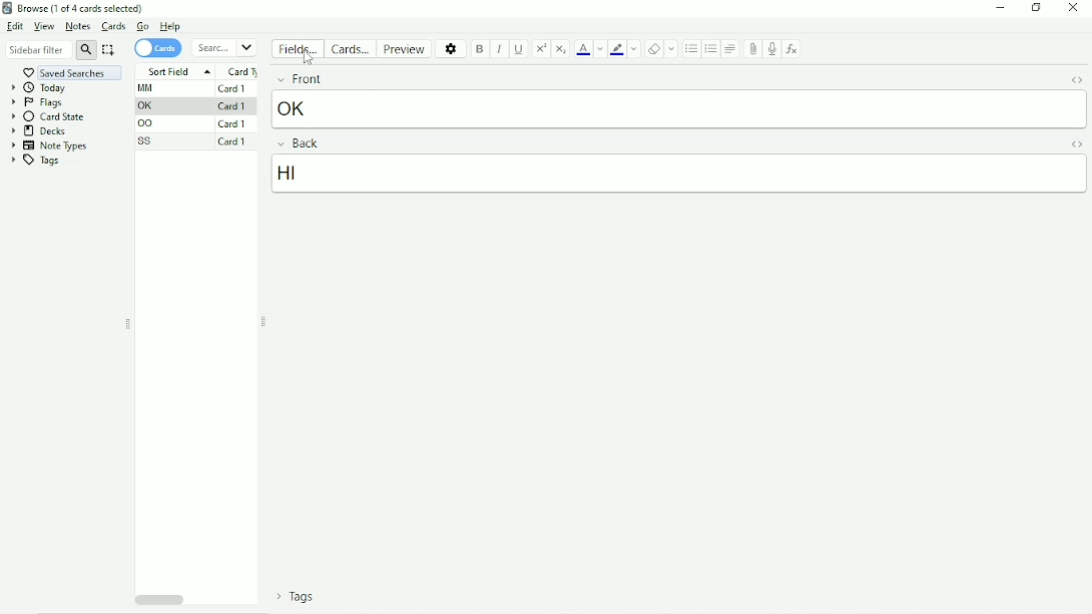 Image resolution: width=1092 pixels, height=614 pixels. Describe the element at coordinates (41, 161) in the screenshot. I see `Tags` at that location.